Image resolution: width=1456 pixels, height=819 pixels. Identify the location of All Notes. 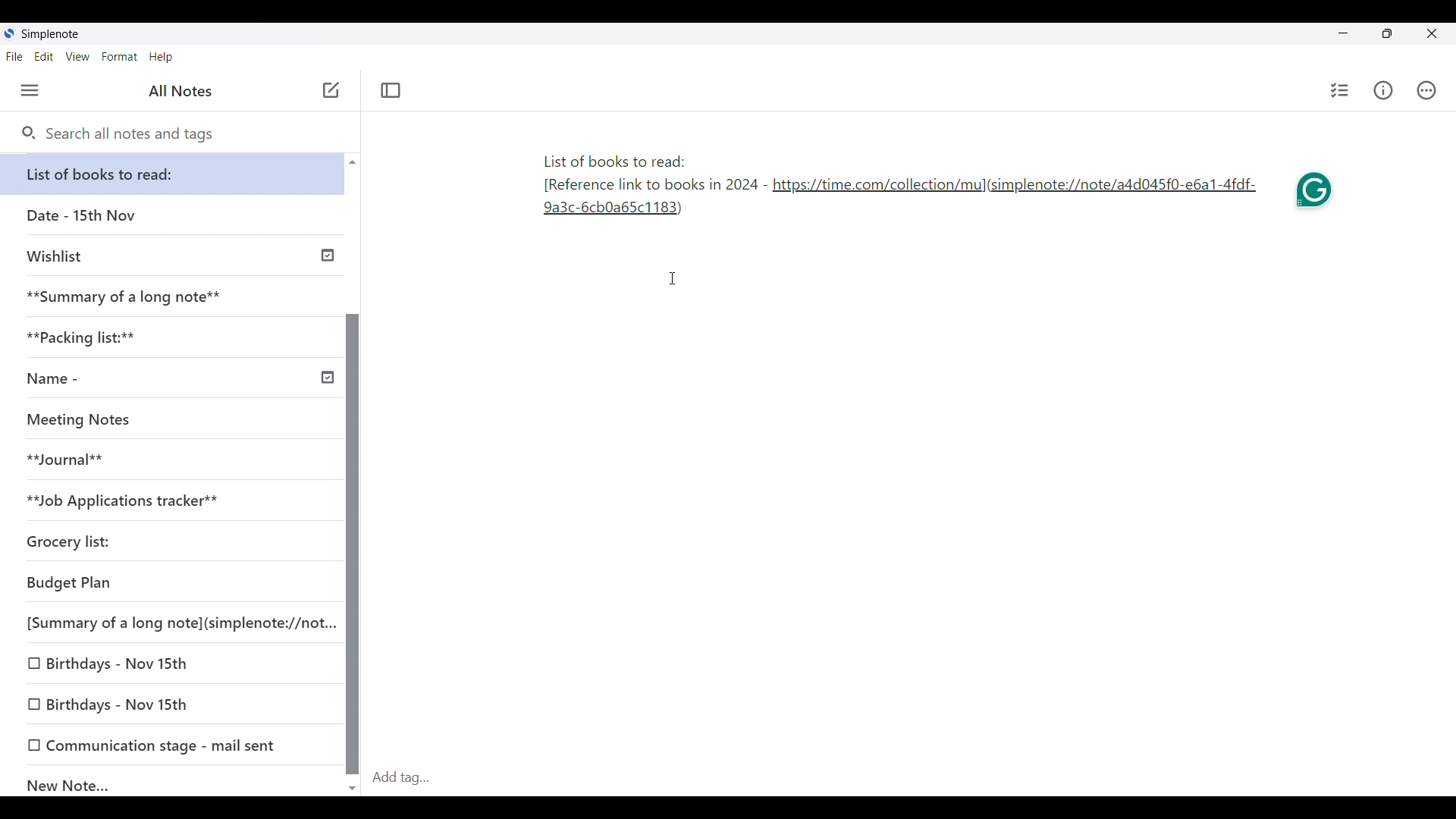
(178, 91).